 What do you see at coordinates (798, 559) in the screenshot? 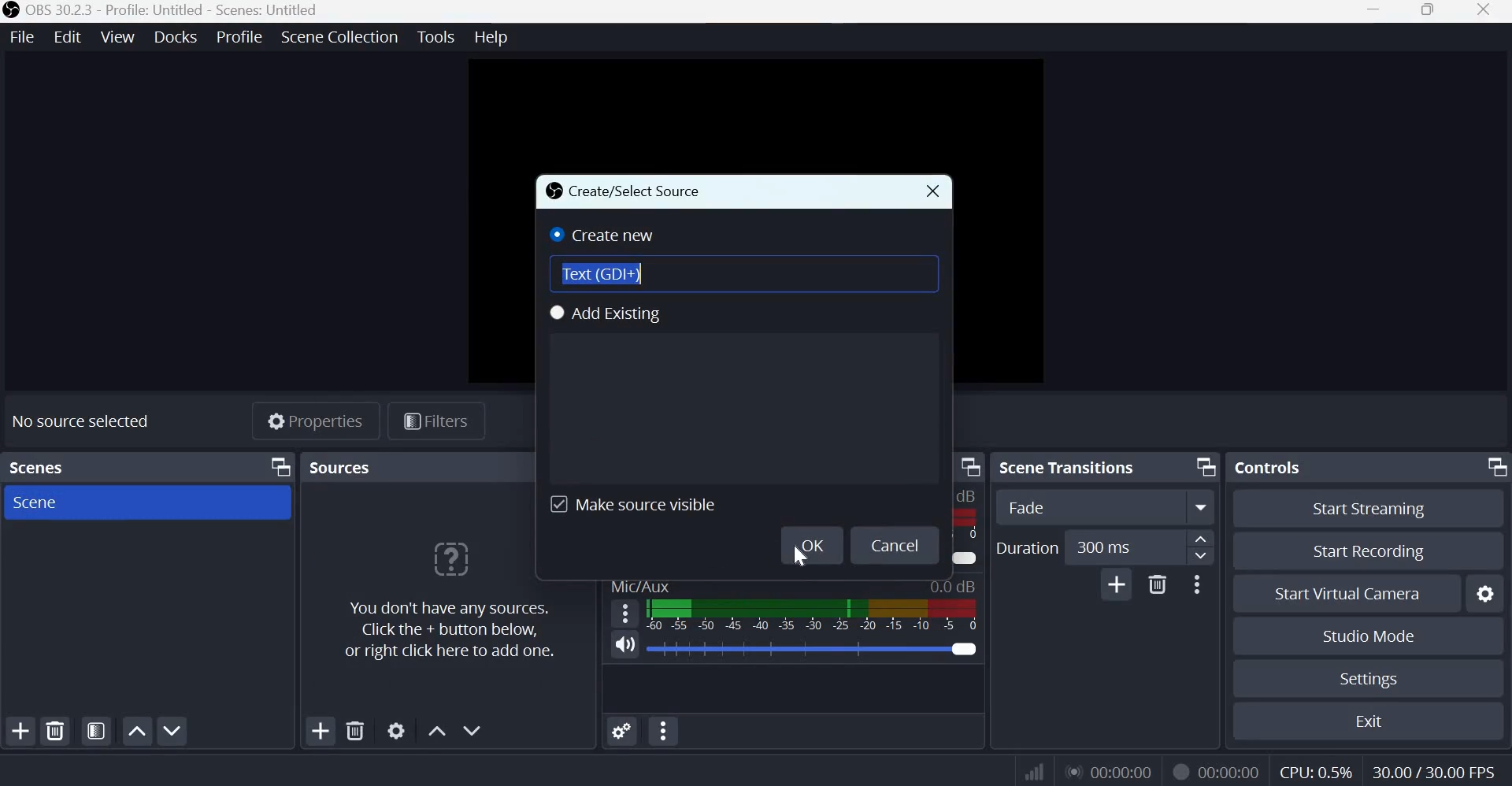
I see `cursor` at bounding box center [798, 559].